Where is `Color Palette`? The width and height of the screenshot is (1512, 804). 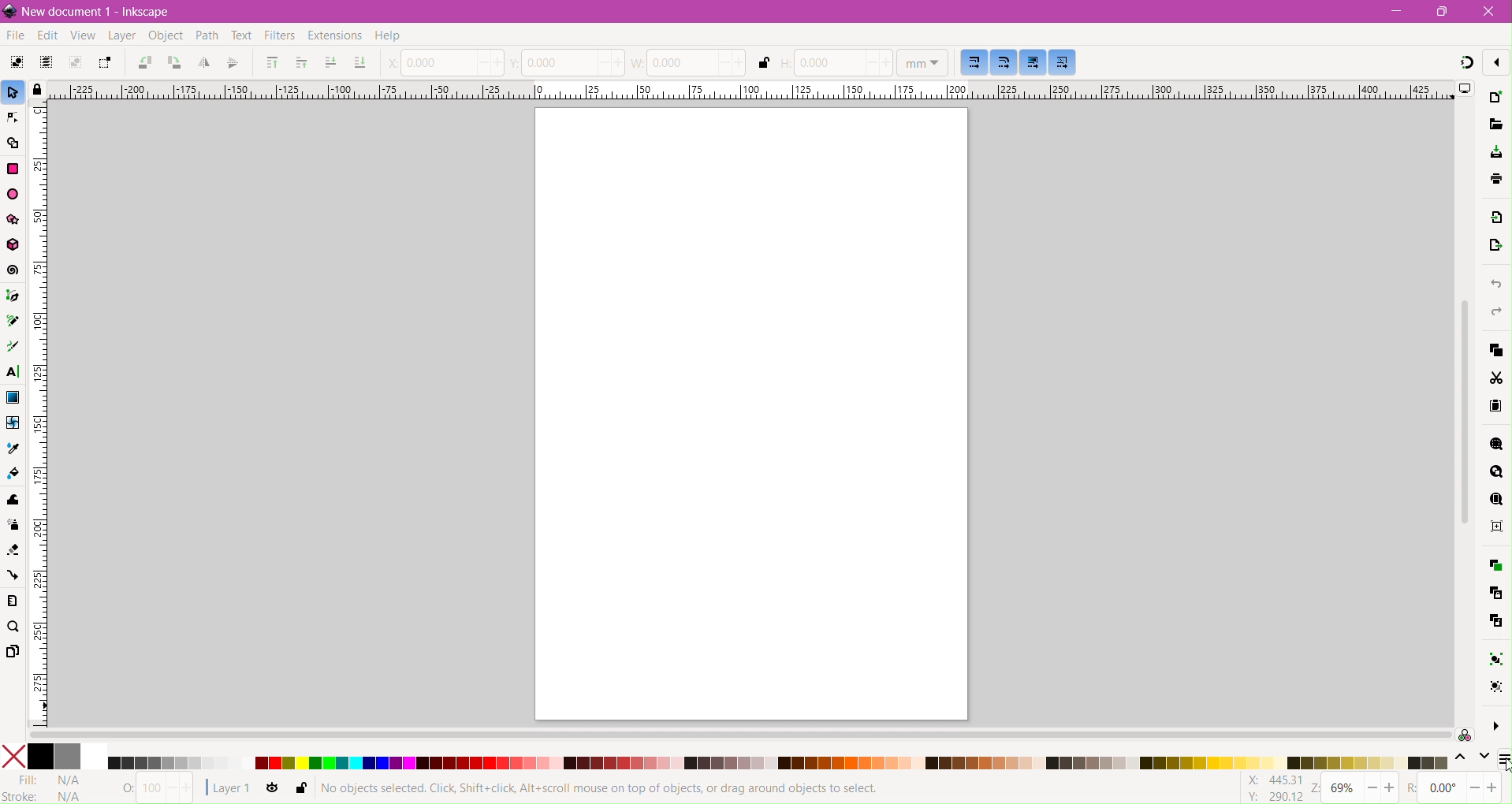 Color Palette is located at coordinates (777, 763).